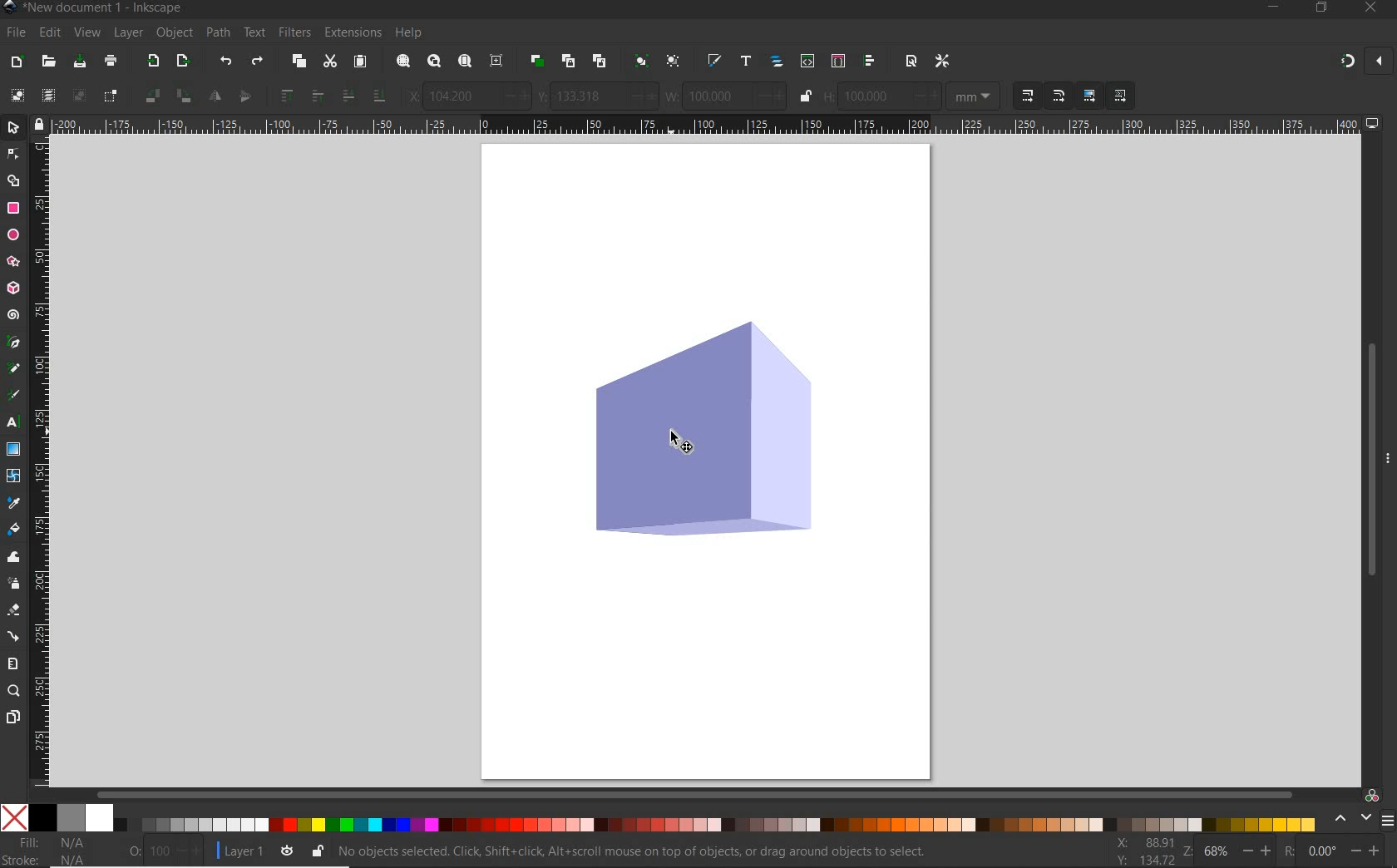 The width and height of the screenshot is (1397, 868). I want to click on OPEN OBJECTS, so click(778, 63).